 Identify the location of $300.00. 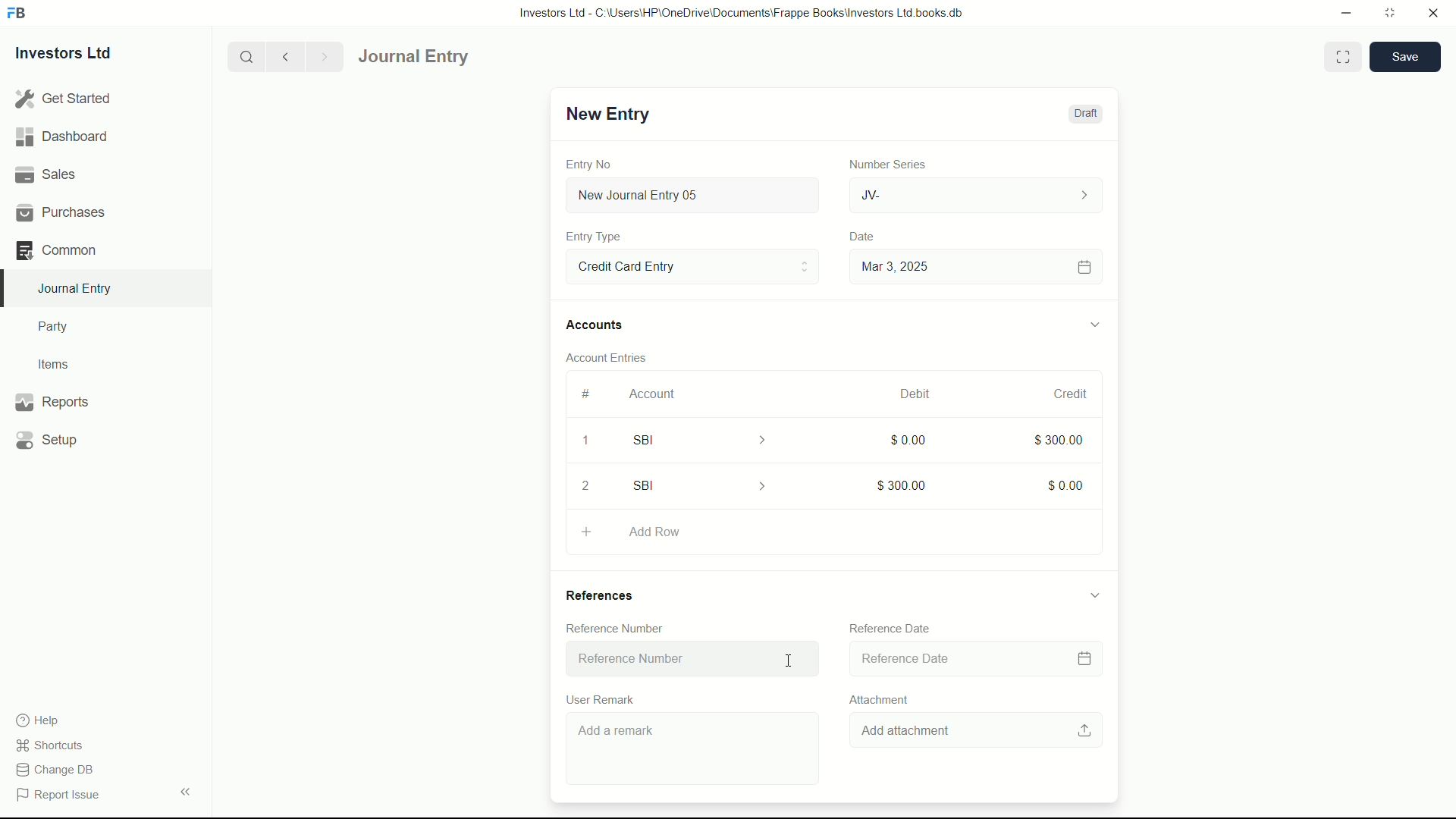
(899, 485).